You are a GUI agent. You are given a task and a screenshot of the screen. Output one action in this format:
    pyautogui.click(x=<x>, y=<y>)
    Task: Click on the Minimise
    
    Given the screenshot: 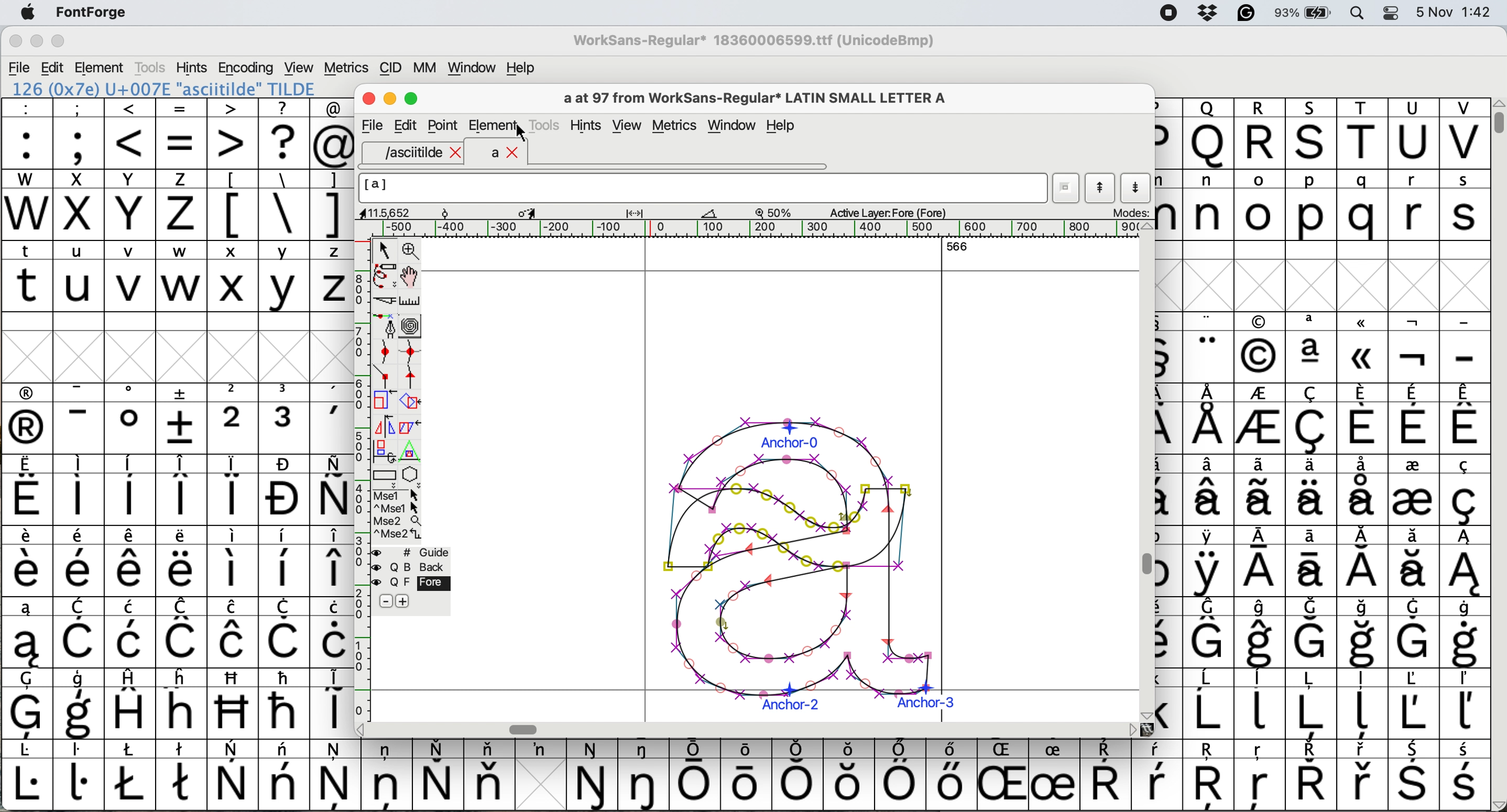 What is the action you would take?
    pyautogui.click(x=391, y=99)
    